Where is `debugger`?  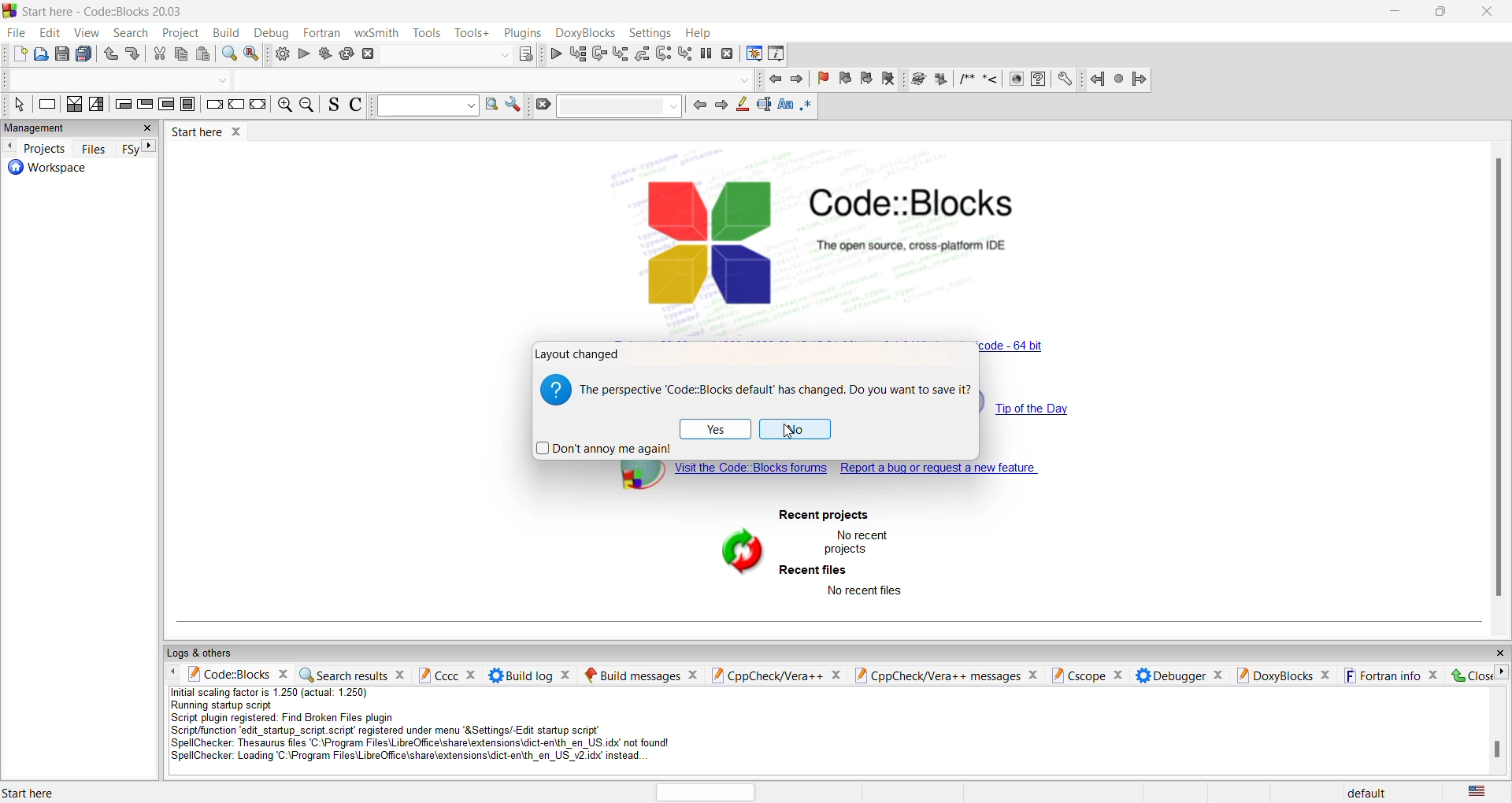 debugger is located at coordinates (1171, 675).